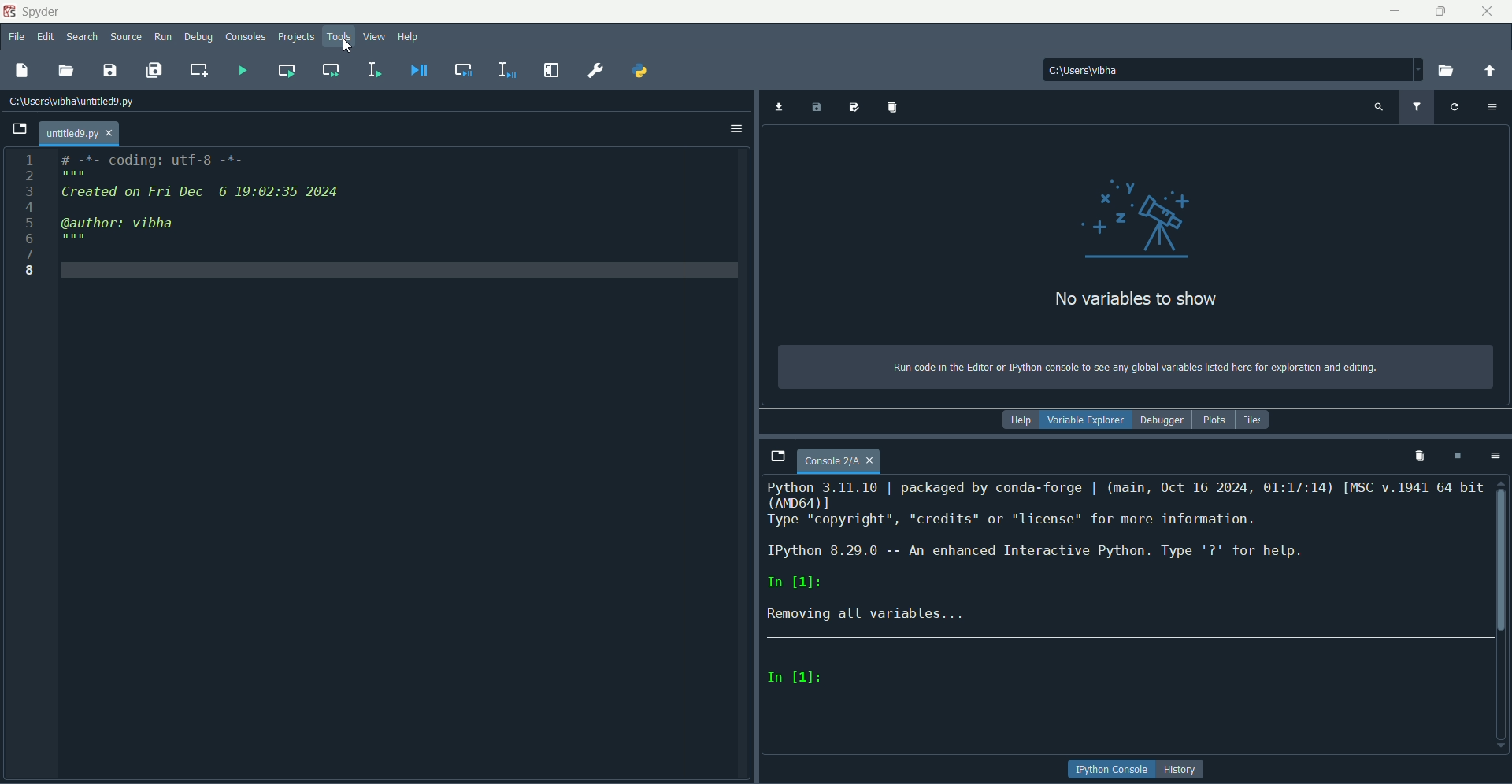 The height and width of the screenshot is (784, 1512). Describe the element at coordinates (1447, 71) in the screenshot. I see `browse directory` at that location.